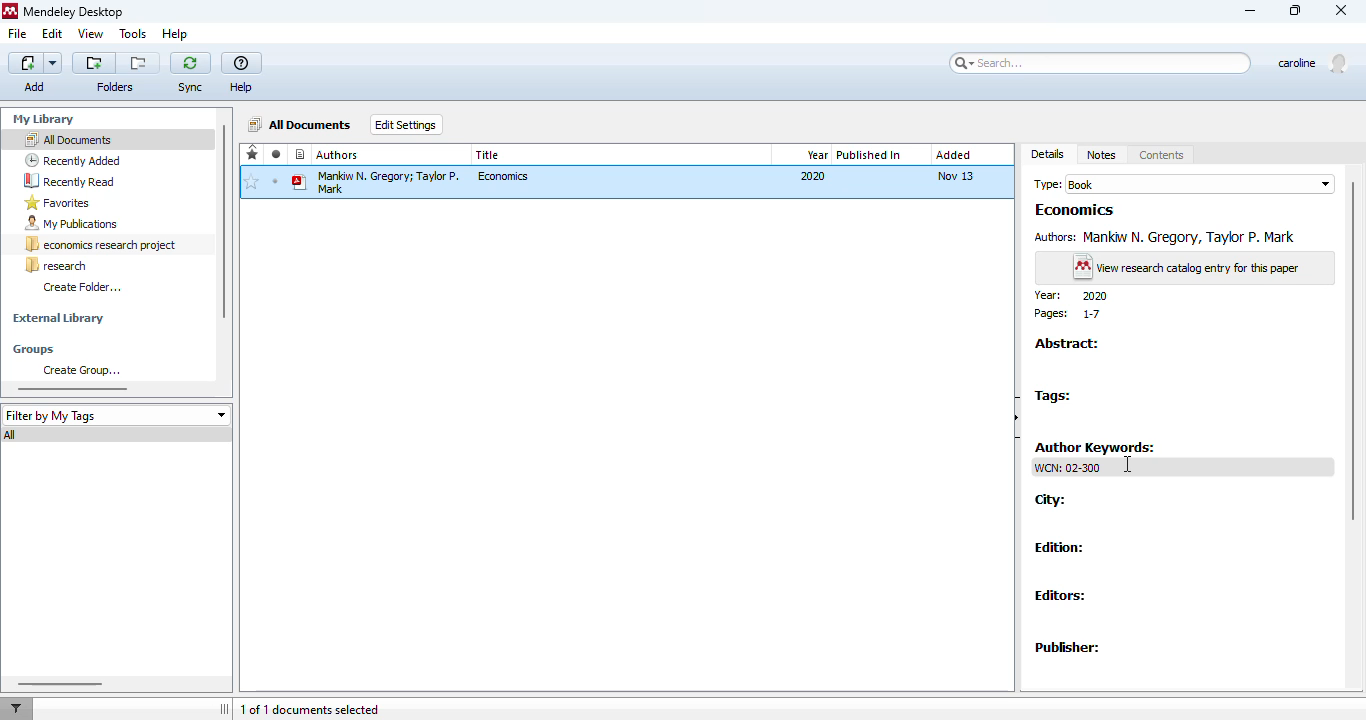  I want to click on folders, so click(114, 87).